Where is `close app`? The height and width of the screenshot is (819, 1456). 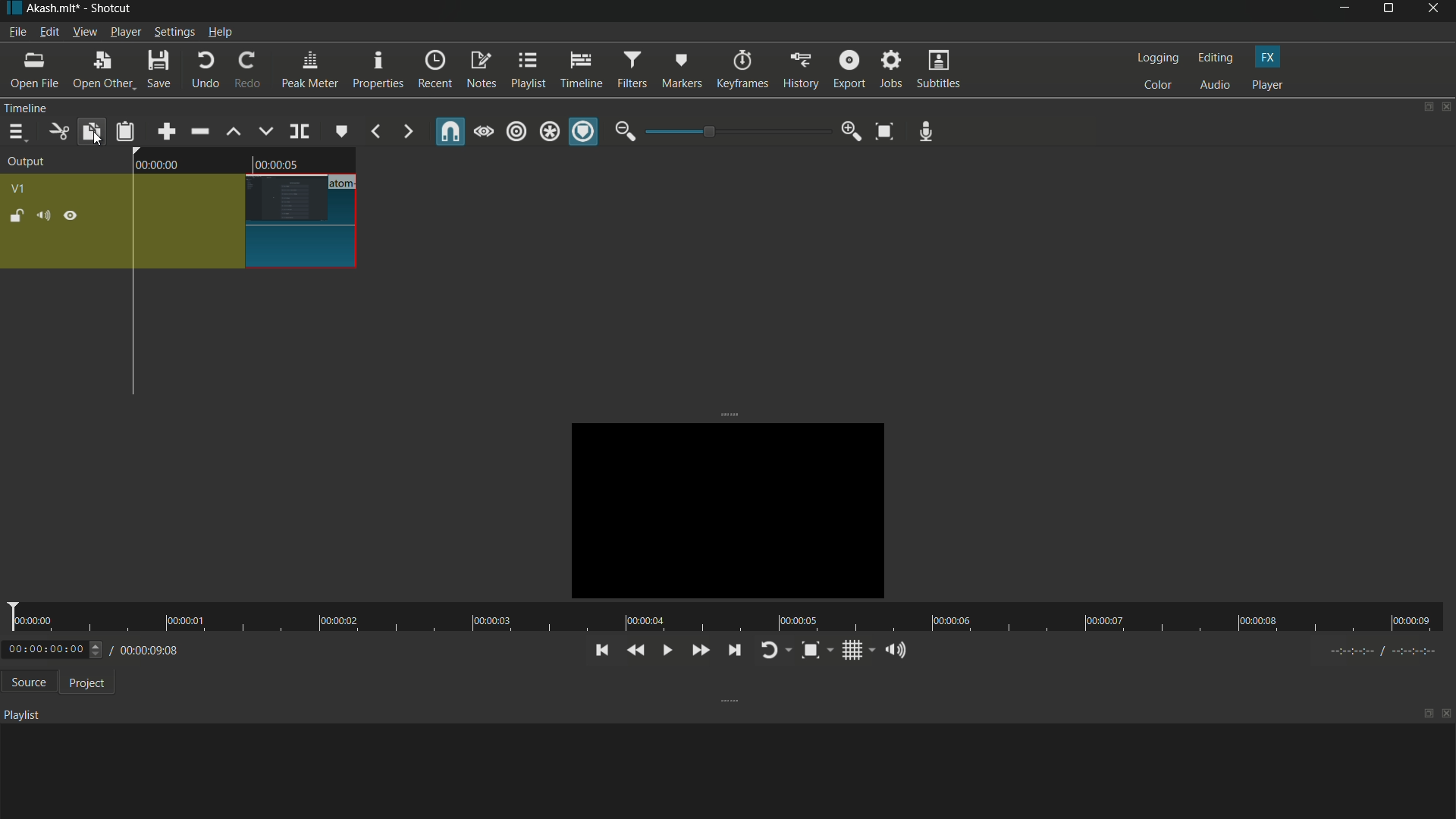 close app is located at coordinates (1436, 11).